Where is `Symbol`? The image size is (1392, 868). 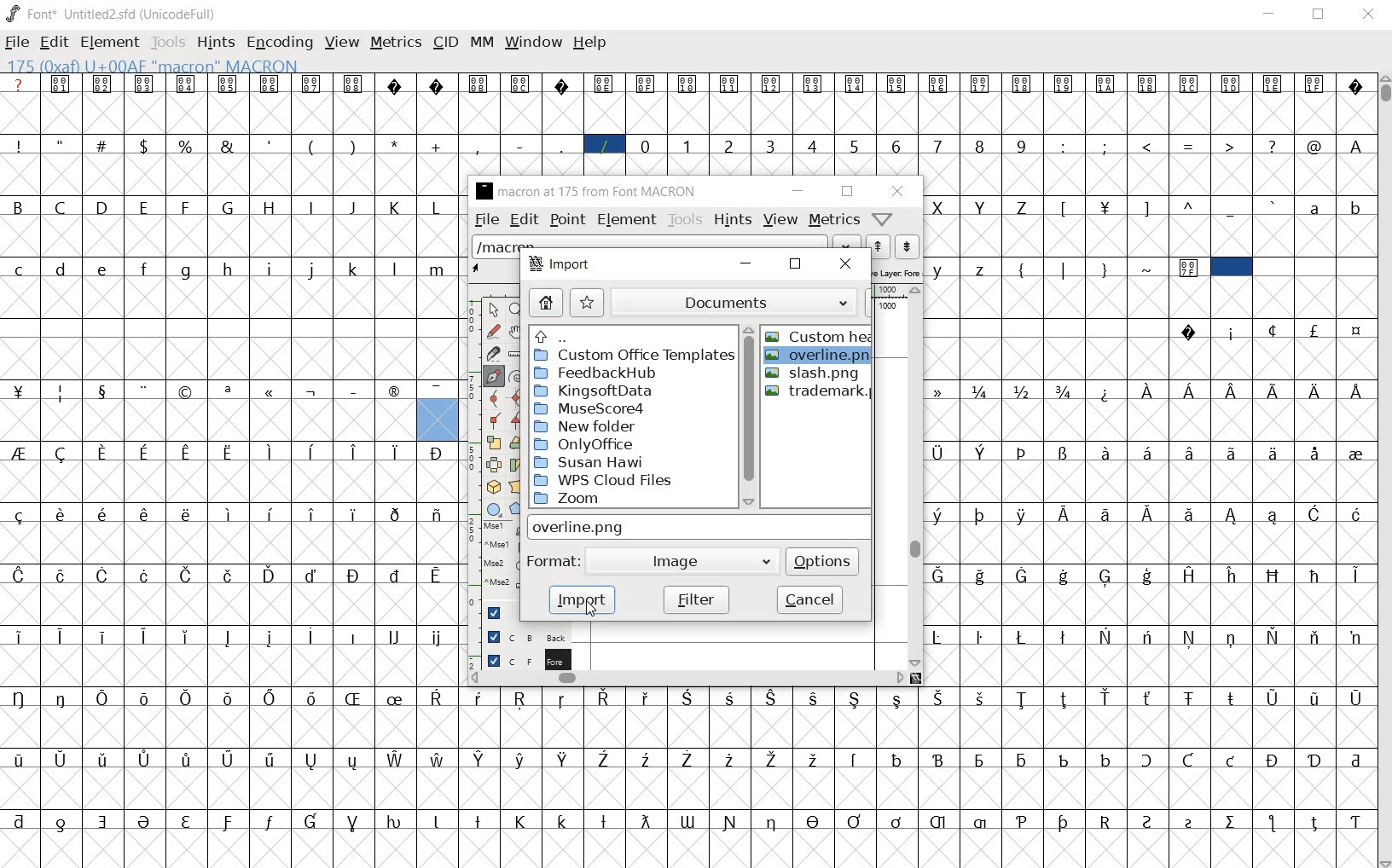
Symbol is located at coordinates (438, 637).